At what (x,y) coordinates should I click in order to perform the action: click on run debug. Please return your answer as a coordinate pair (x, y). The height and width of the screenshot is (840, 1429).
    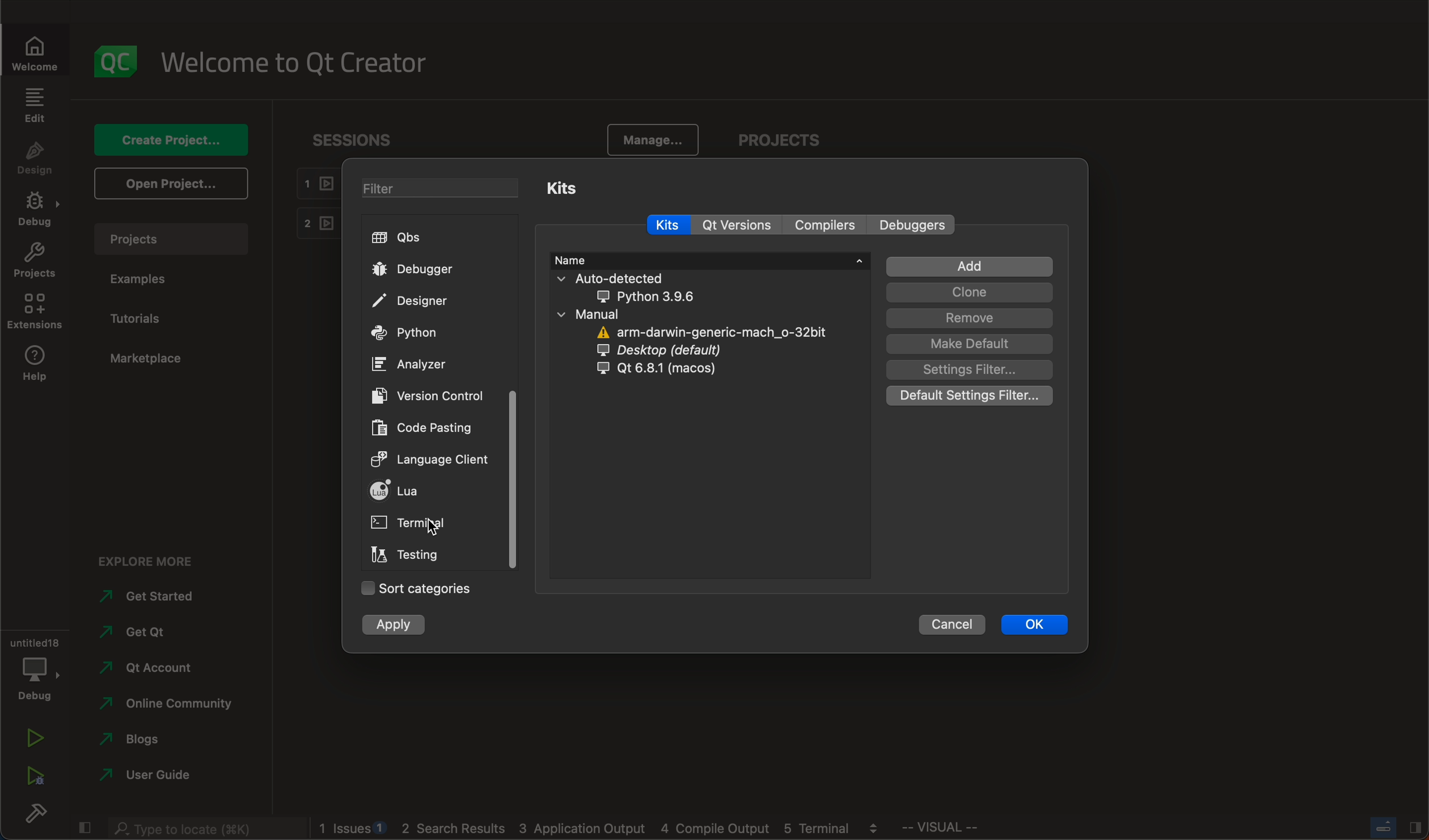
    Looking at the image, I should click on (33, 780).